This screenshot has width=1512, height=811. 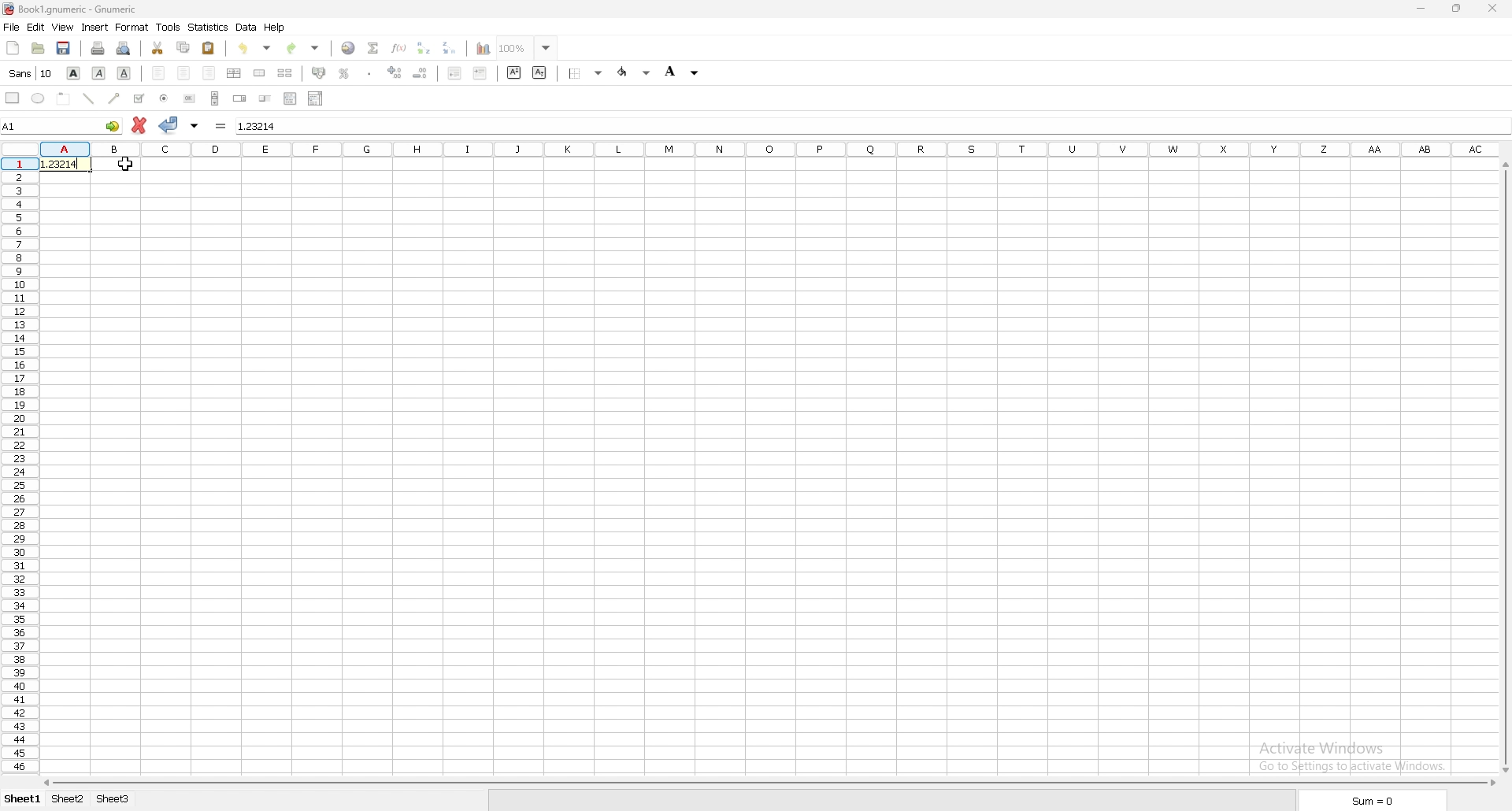 I want to click on paste, so click(x=209, y=48).